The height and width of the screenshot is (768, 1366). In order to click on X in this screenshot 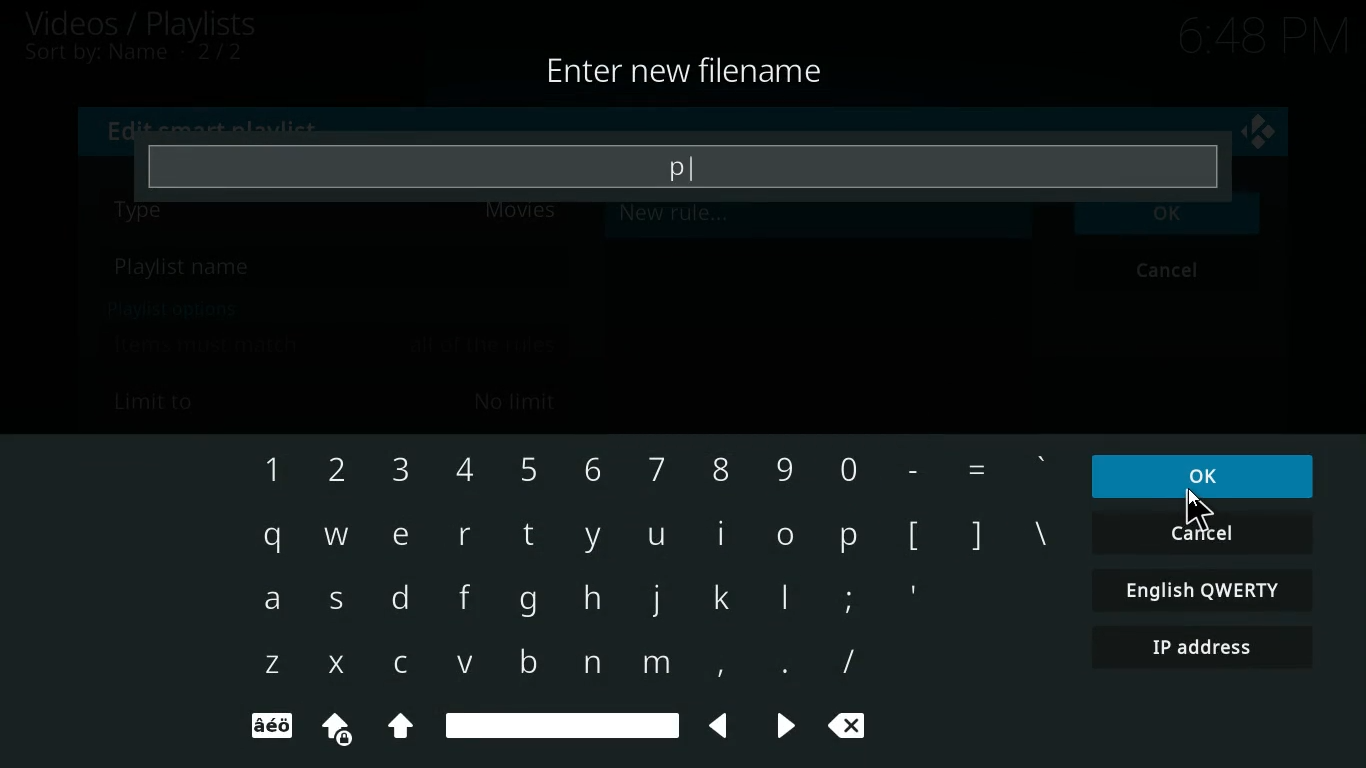, I will do `click(334, 665)`.